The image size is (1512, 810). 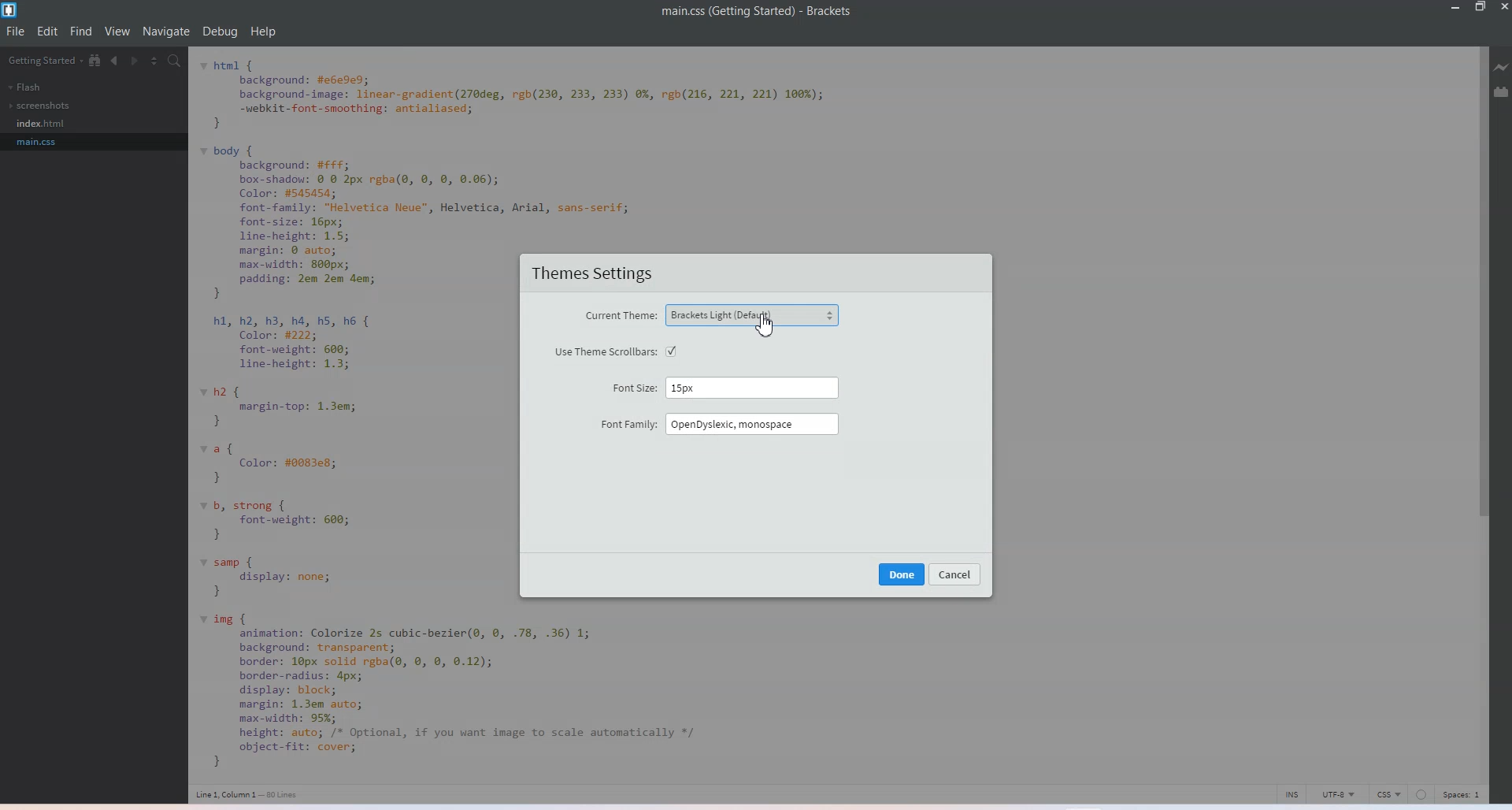 What do you see at coordinates (902, 574) in the screenshot?
I see `Done` at bounding box center [902, 574].